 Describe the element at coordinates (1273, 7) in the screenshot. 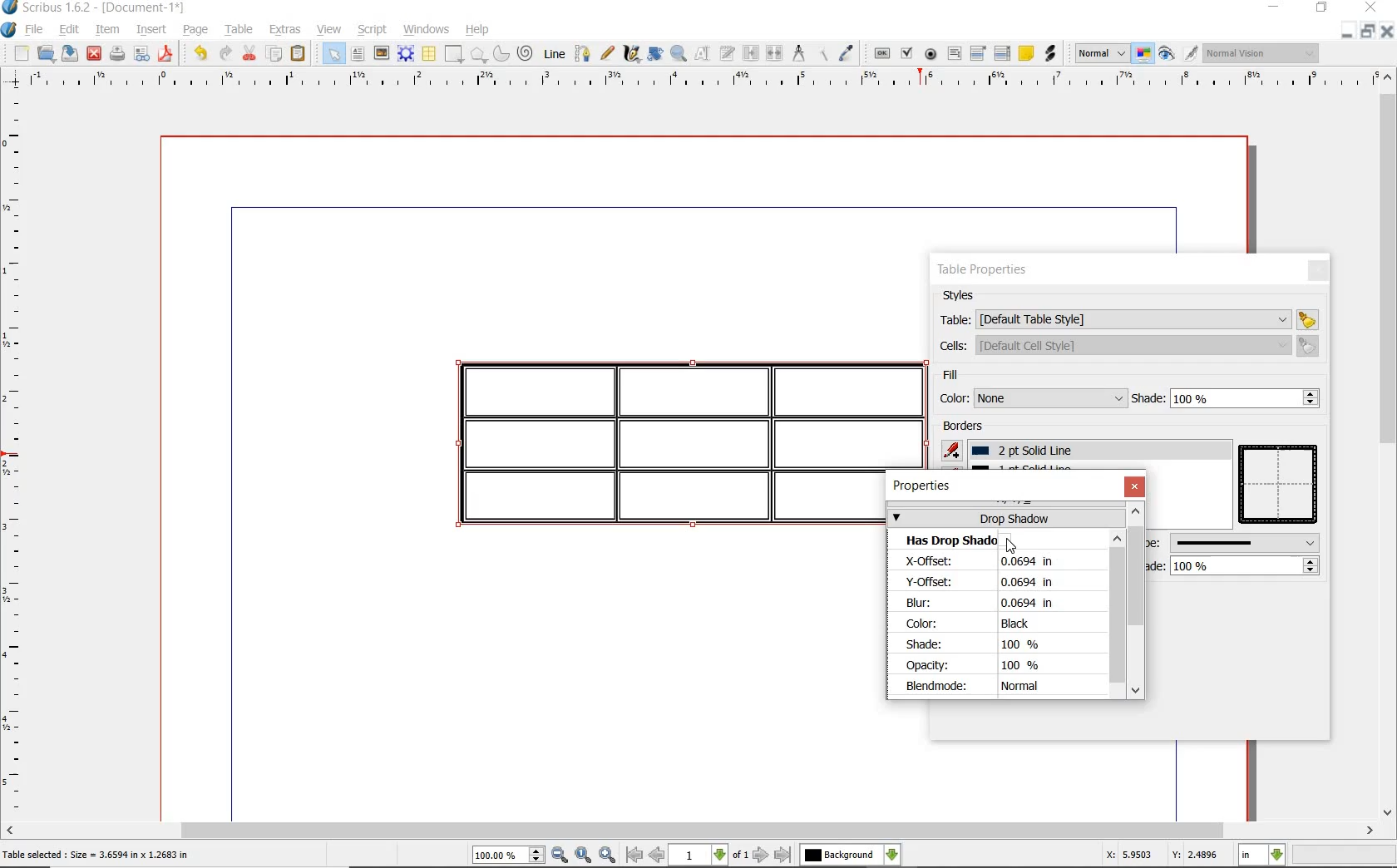

I see `MINIMIZE` at that location.